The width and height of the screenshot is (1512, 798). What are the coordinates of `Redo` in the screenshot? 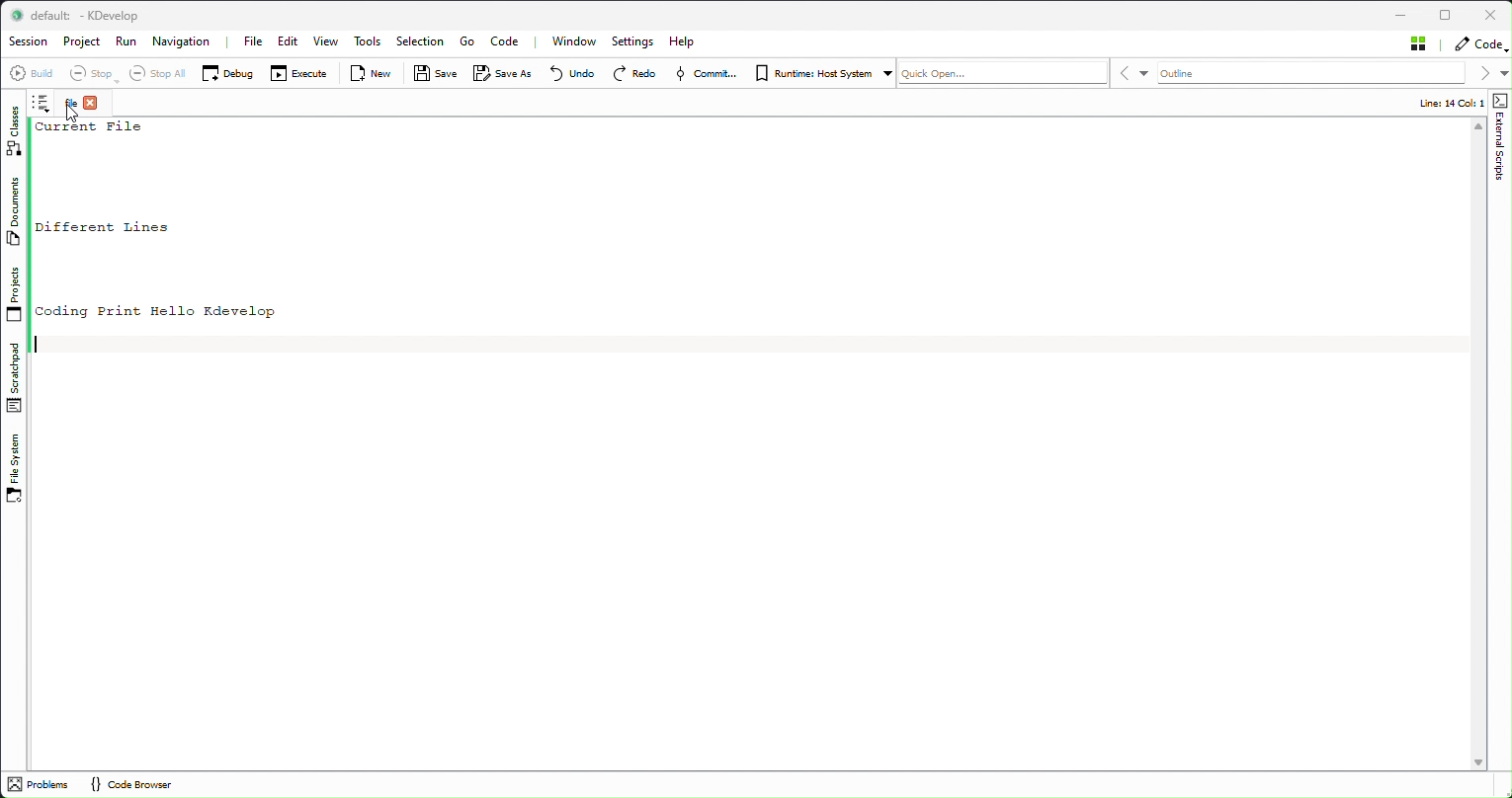 It's located at (635, 72).